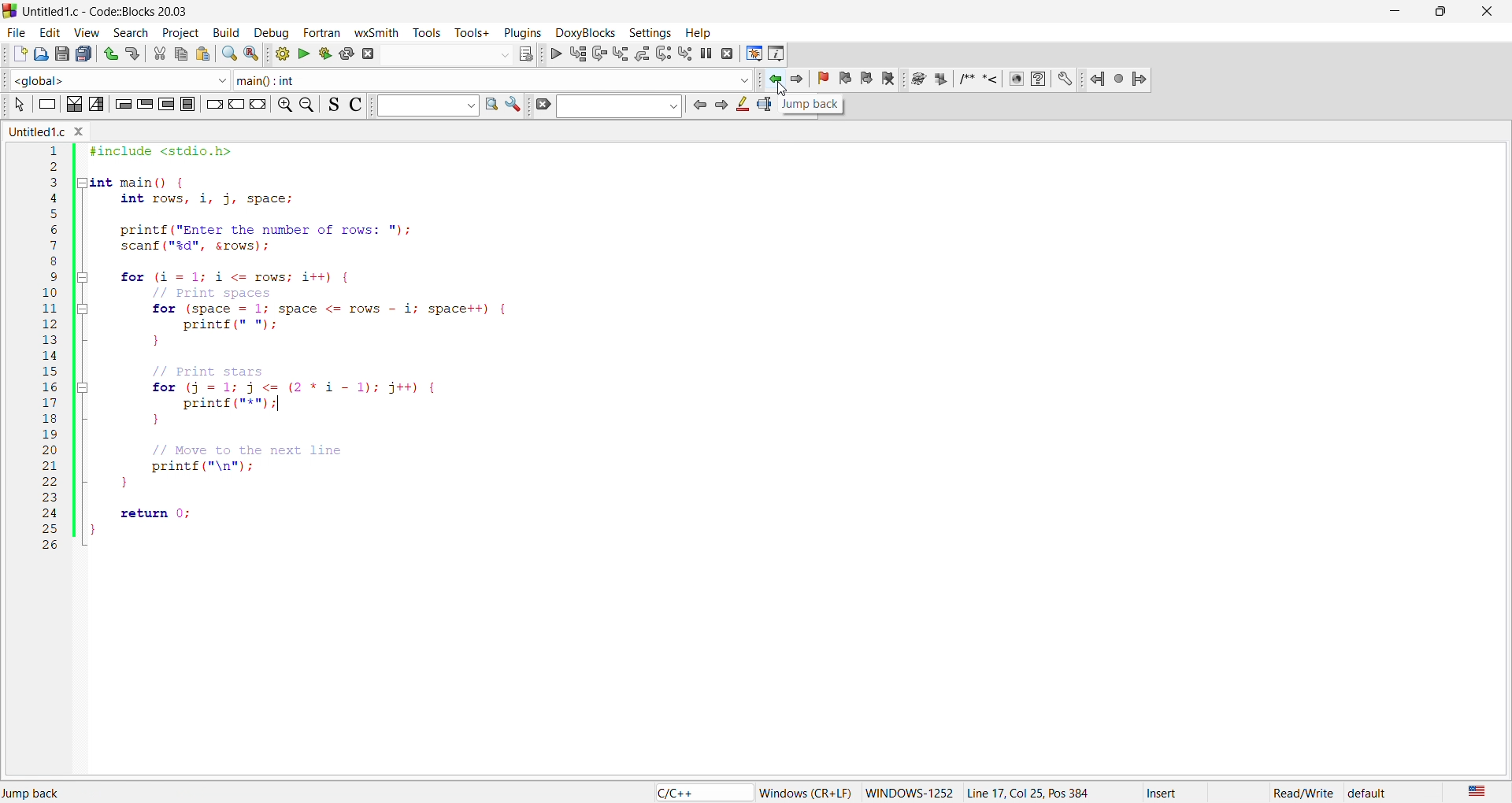 This screenshot has width=1512, height=803. I want to click on icon, so click(720, 105).